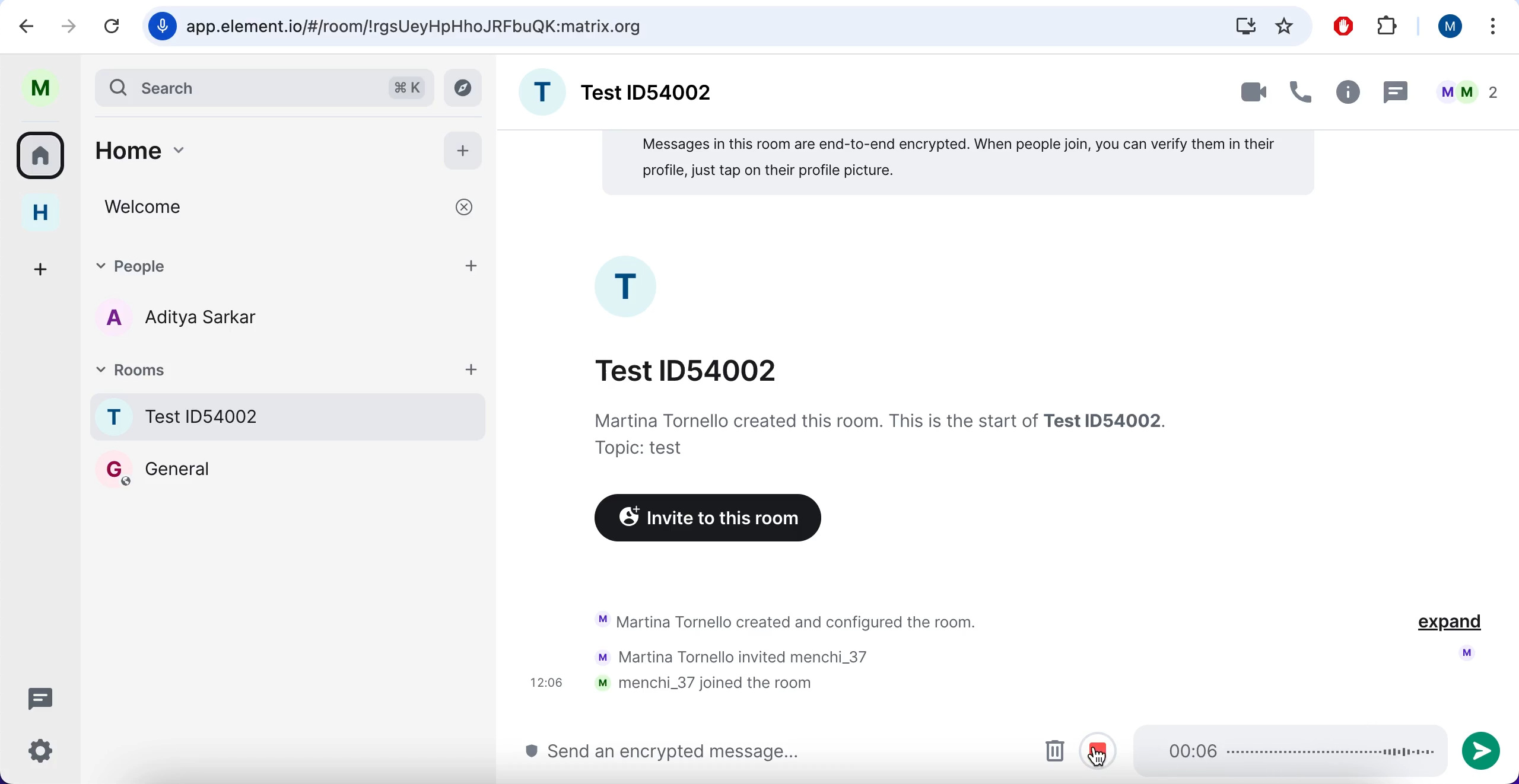 Image resolution: width=1519 pixels, height=784 pixels. Describe the element at coordinates (703, 520) in the screenshot. I see `invite to this room` at that location.